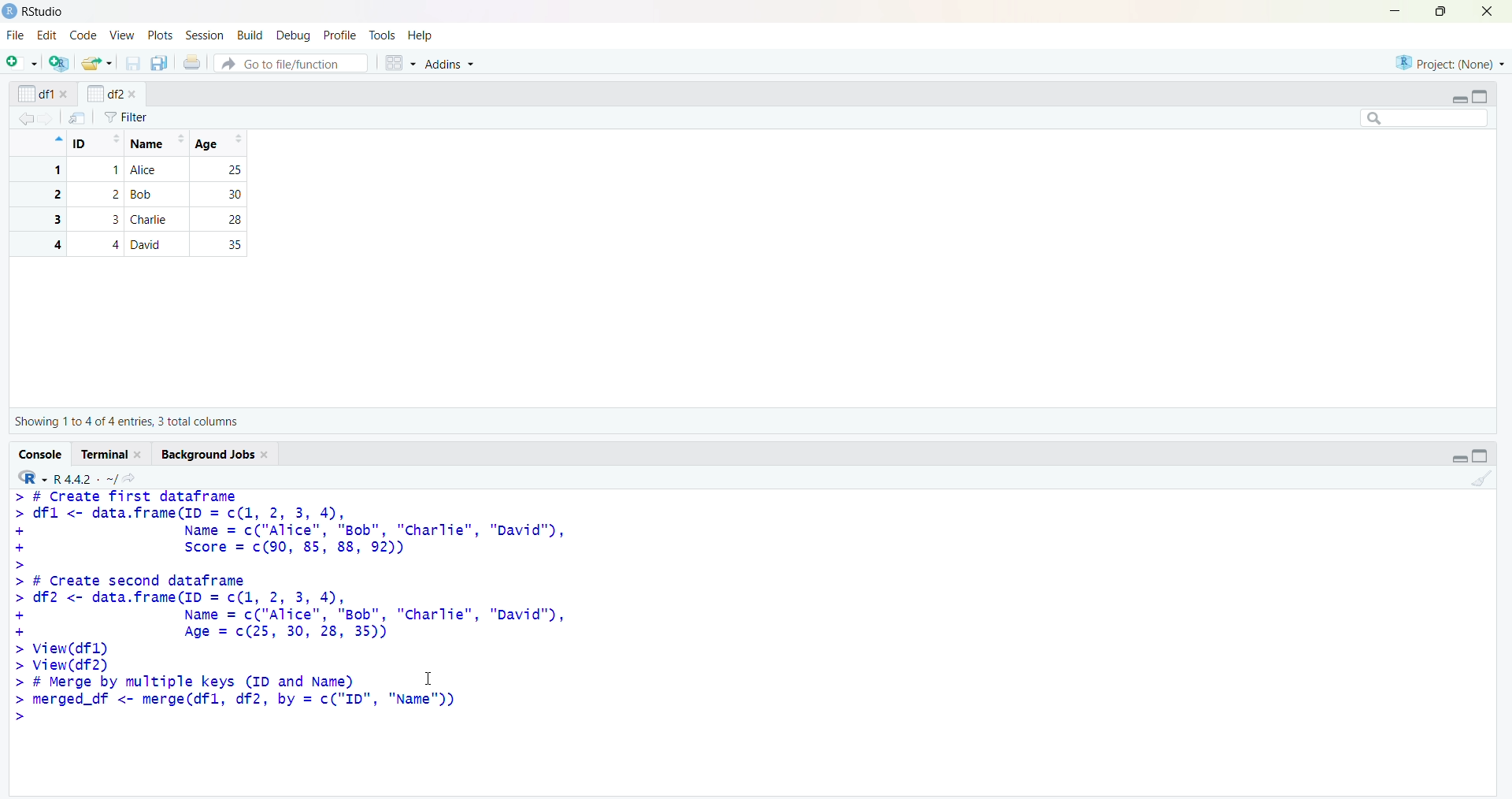 The width and height of the screenshot is (1512, 799). Describe the element at coordinates (267, 455) in the screenshot. I see `close` at that location.